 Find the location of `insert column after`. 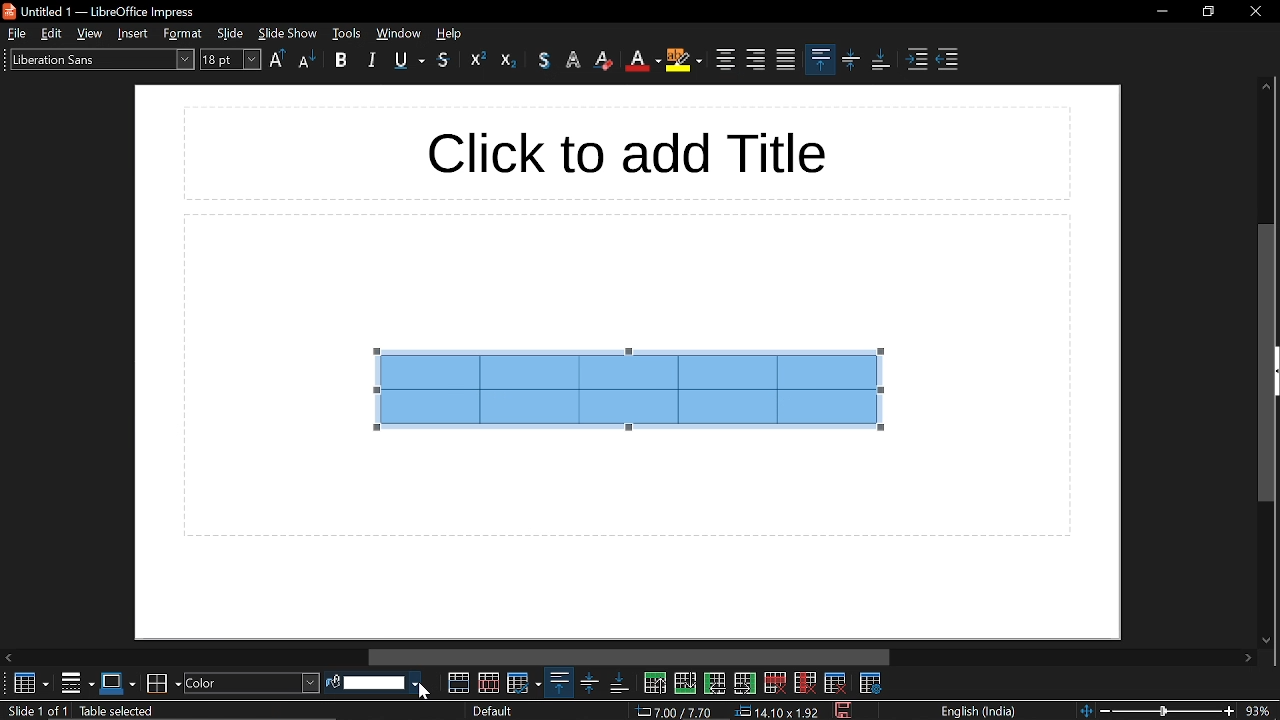

insert column after is located at coordinates (746, 684).